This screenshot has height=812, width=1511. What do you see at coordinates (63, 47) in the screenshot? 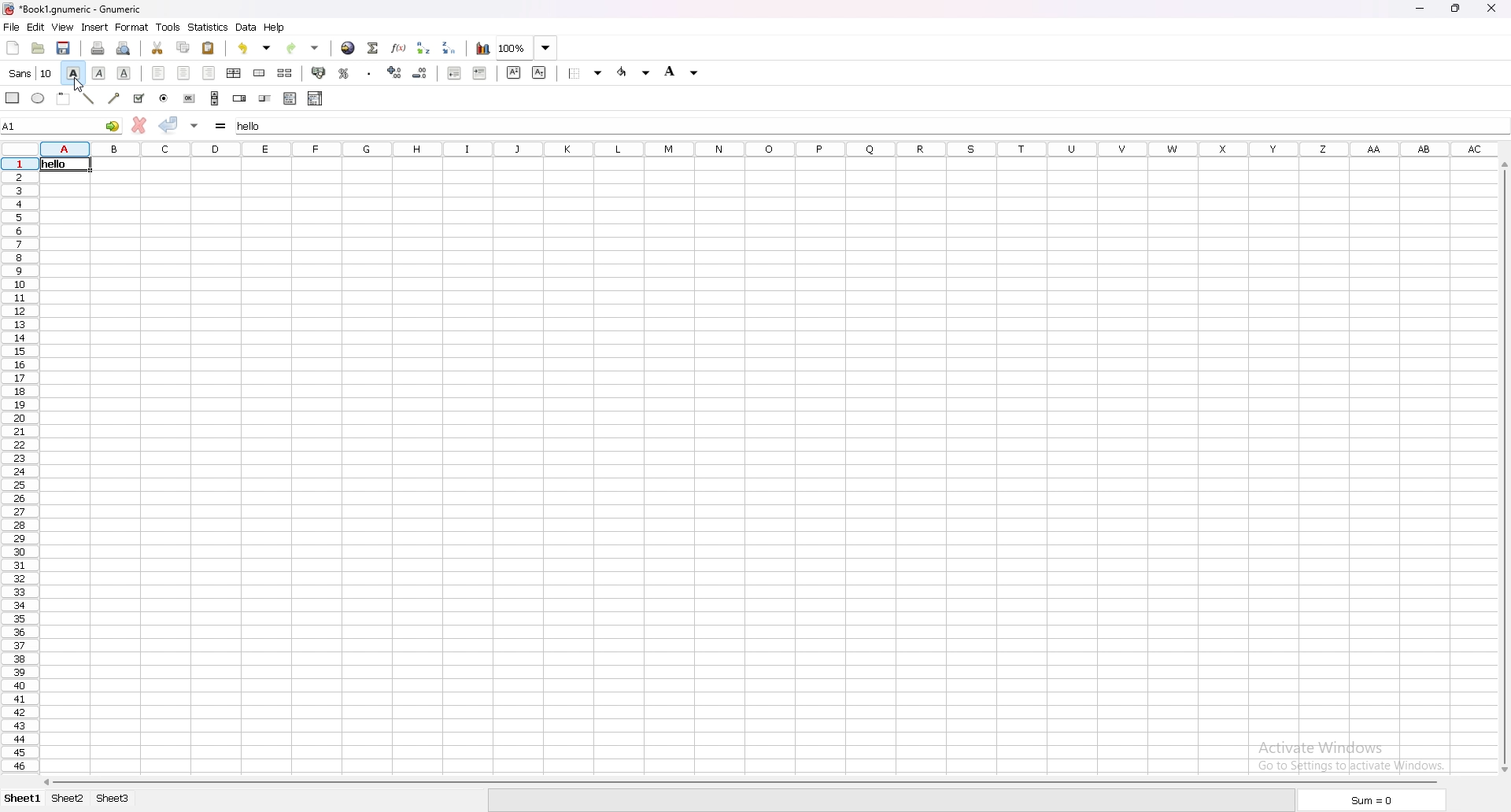
I see `save` at bounding box center [63, 47].